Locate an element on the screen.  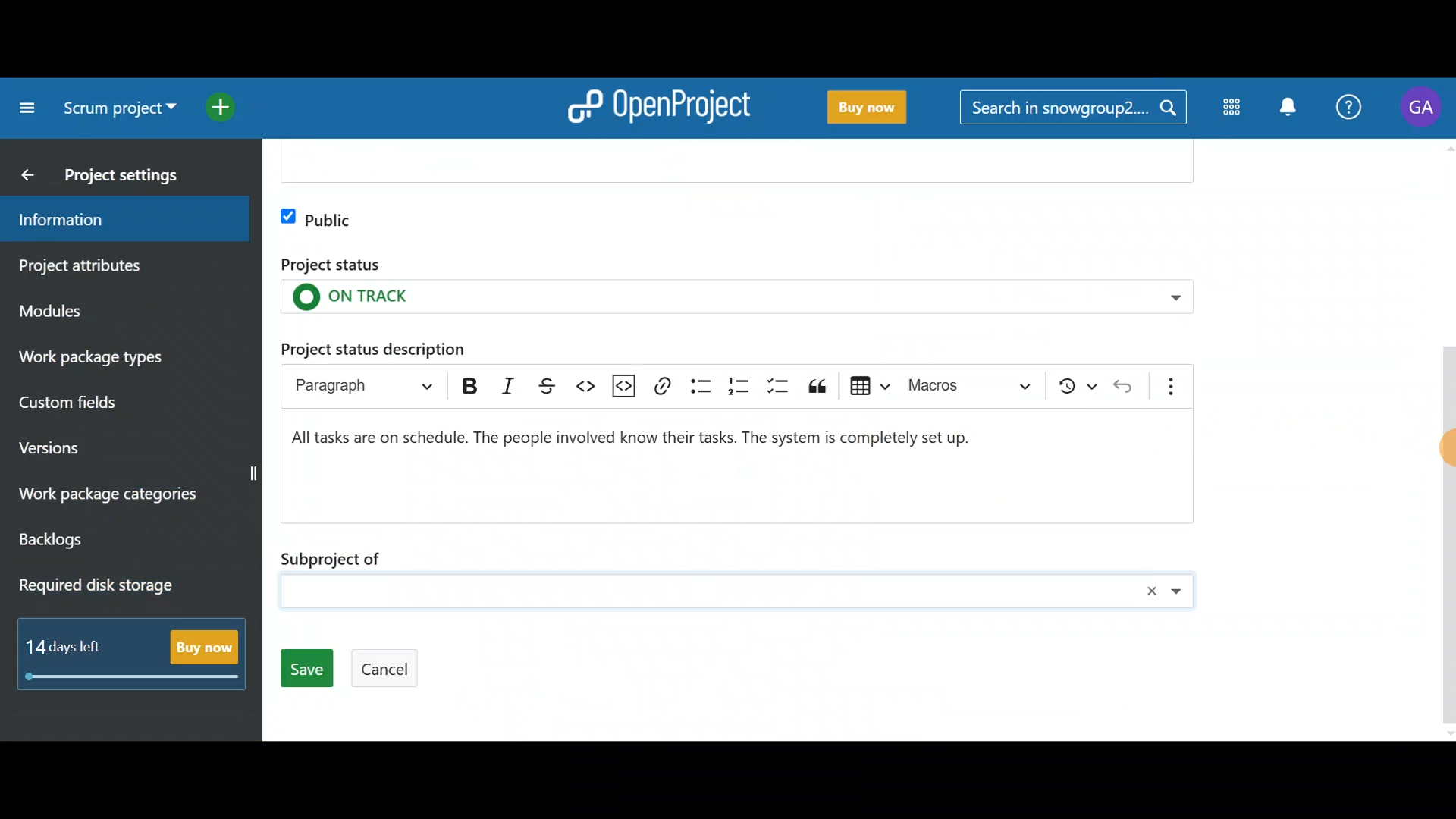
Bold is located at coordinates (470, 385).